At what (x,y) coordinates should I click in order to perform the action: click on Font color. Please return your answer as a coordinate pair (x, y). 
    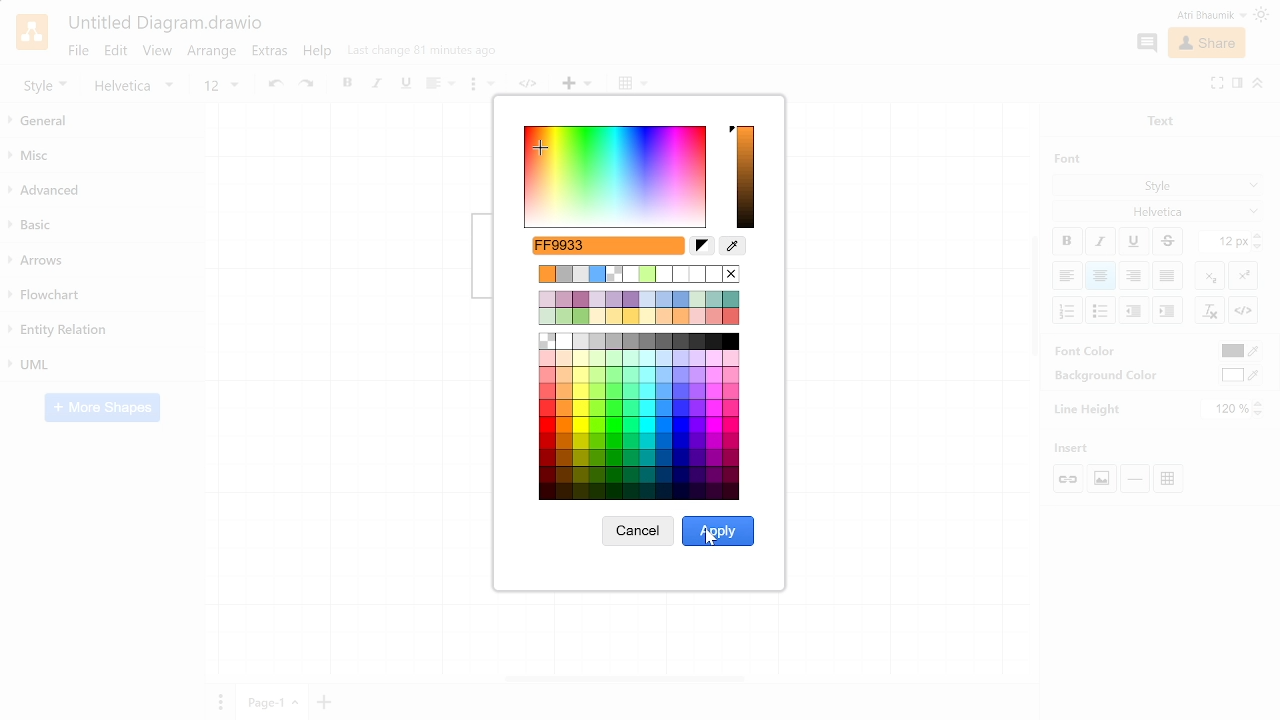
    Looking at the image, I should click on (1239, 352).